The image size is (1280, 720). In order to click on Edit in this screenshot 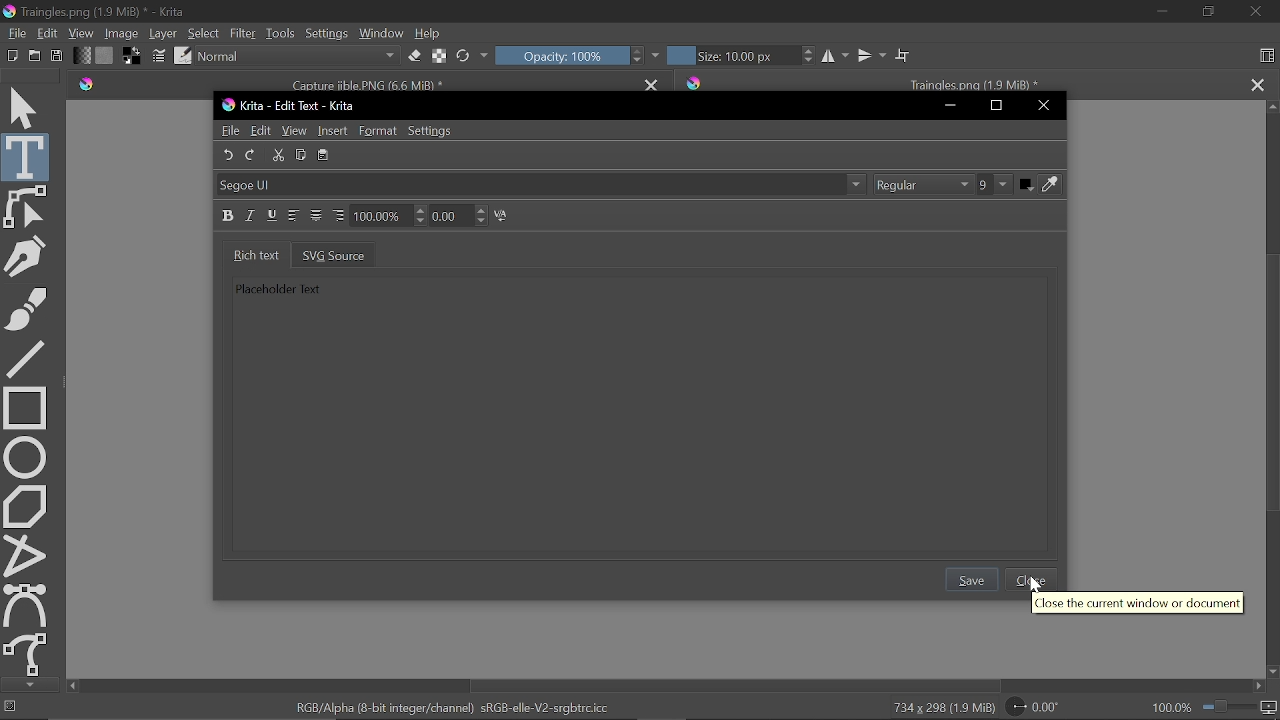, I will do `click(262, 131)`.